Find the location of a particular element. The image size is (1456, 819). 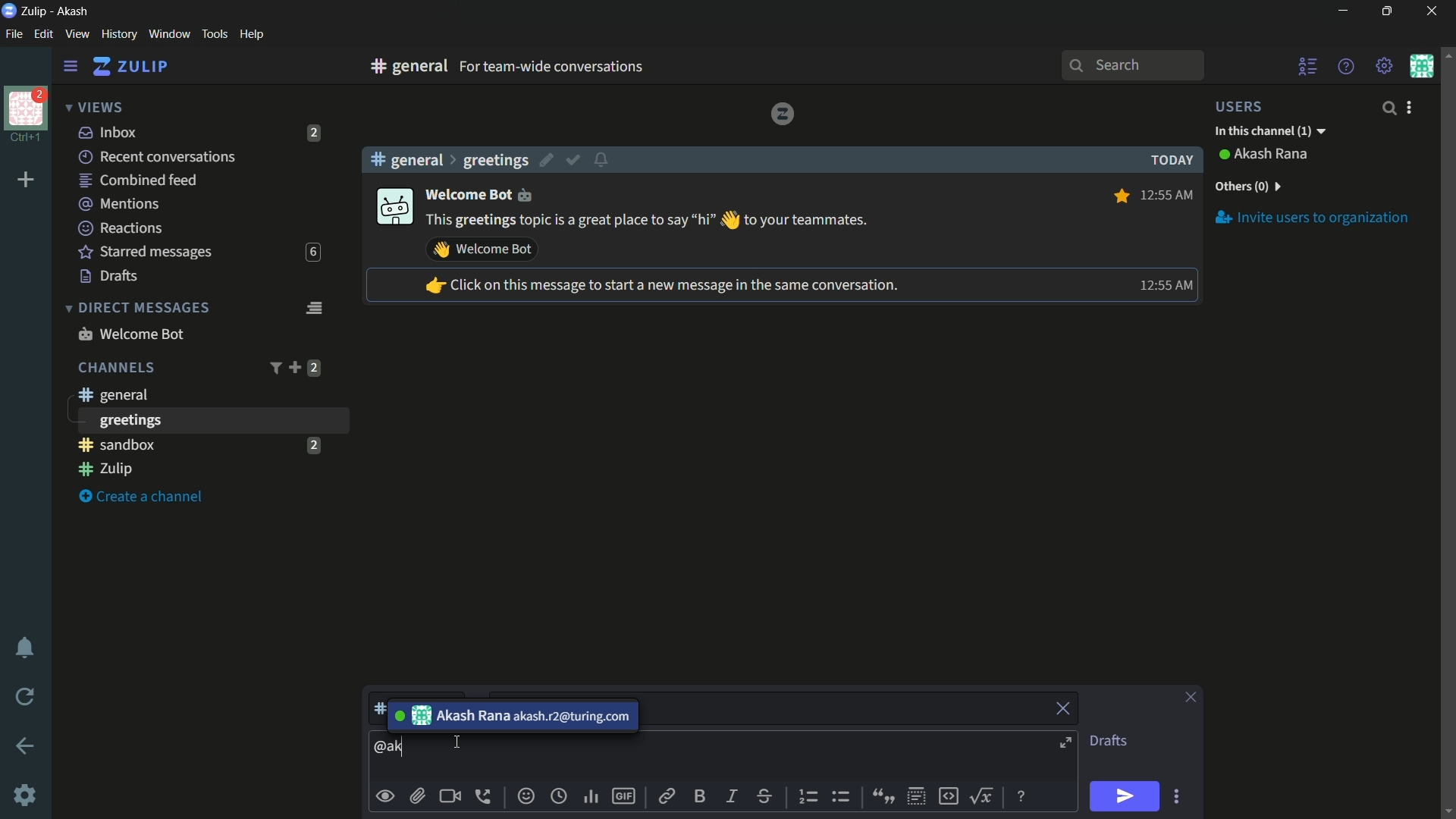

 is located at coordinates (386, 796).